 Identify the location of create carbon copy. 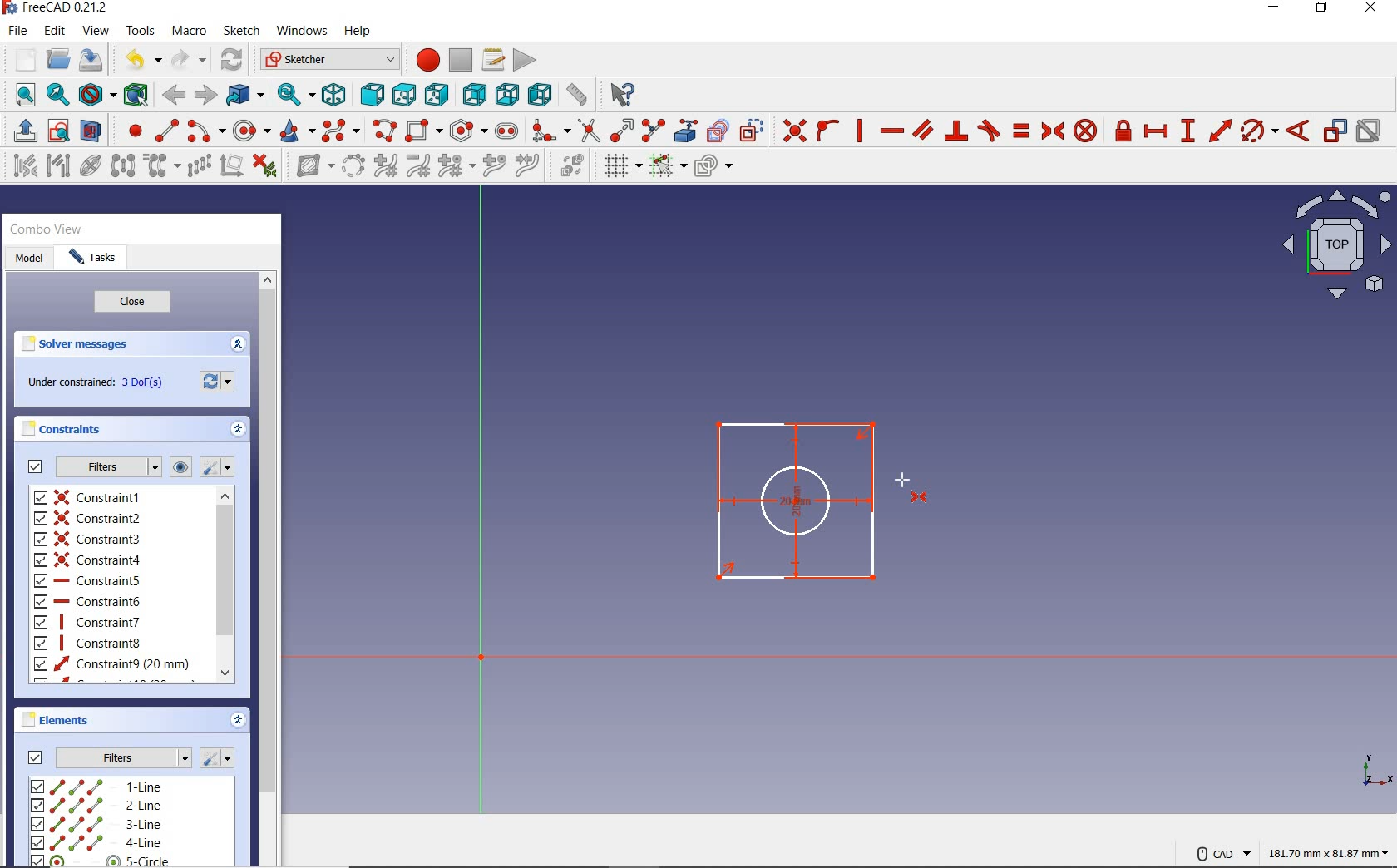
(718, 131).